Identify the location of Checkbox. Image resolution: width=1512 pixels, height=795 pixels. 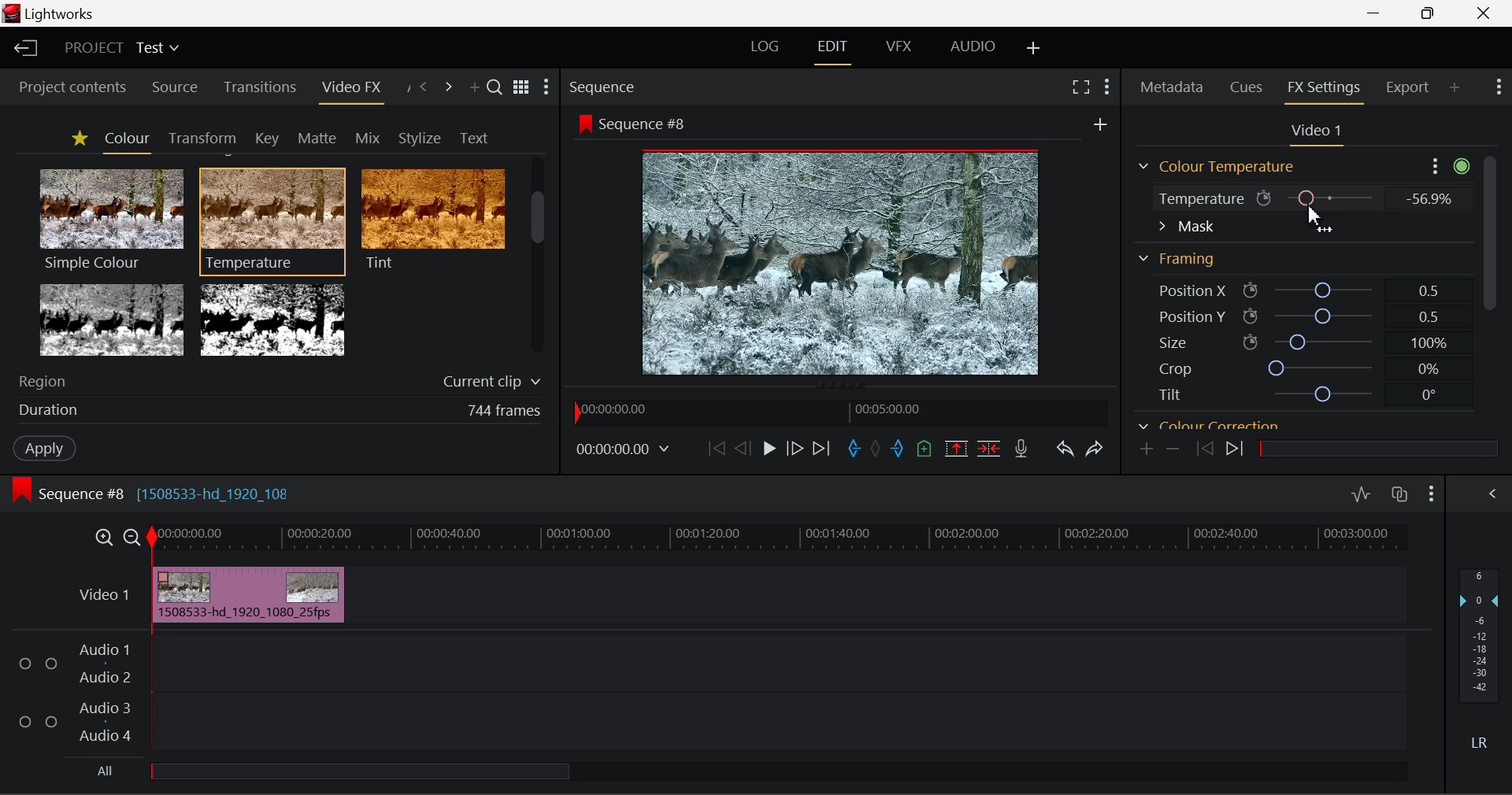
(26, 662).